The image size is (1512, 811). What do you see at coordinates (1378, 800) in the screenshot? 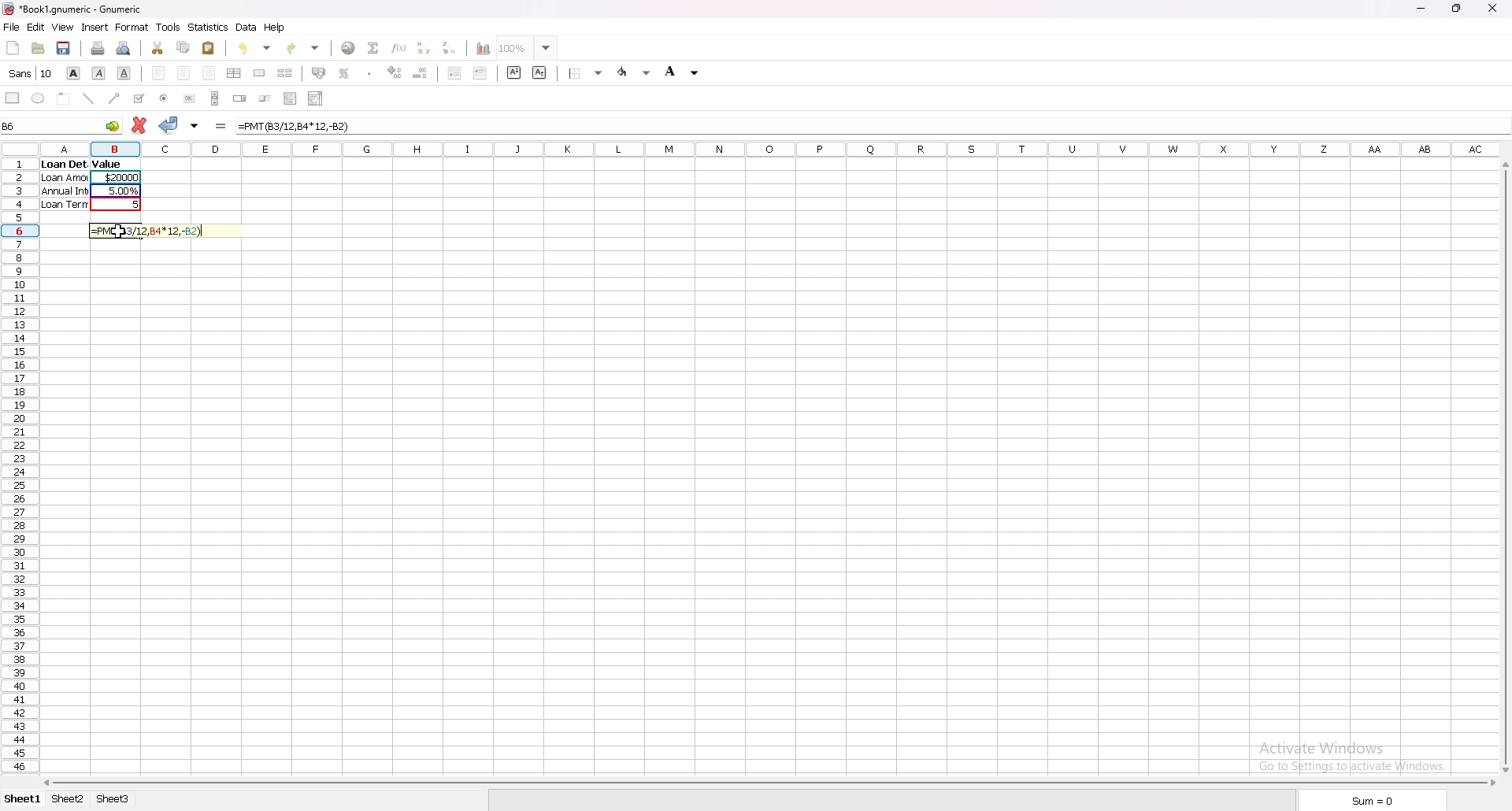
I see `sum` at bounding box center [1378, 800].